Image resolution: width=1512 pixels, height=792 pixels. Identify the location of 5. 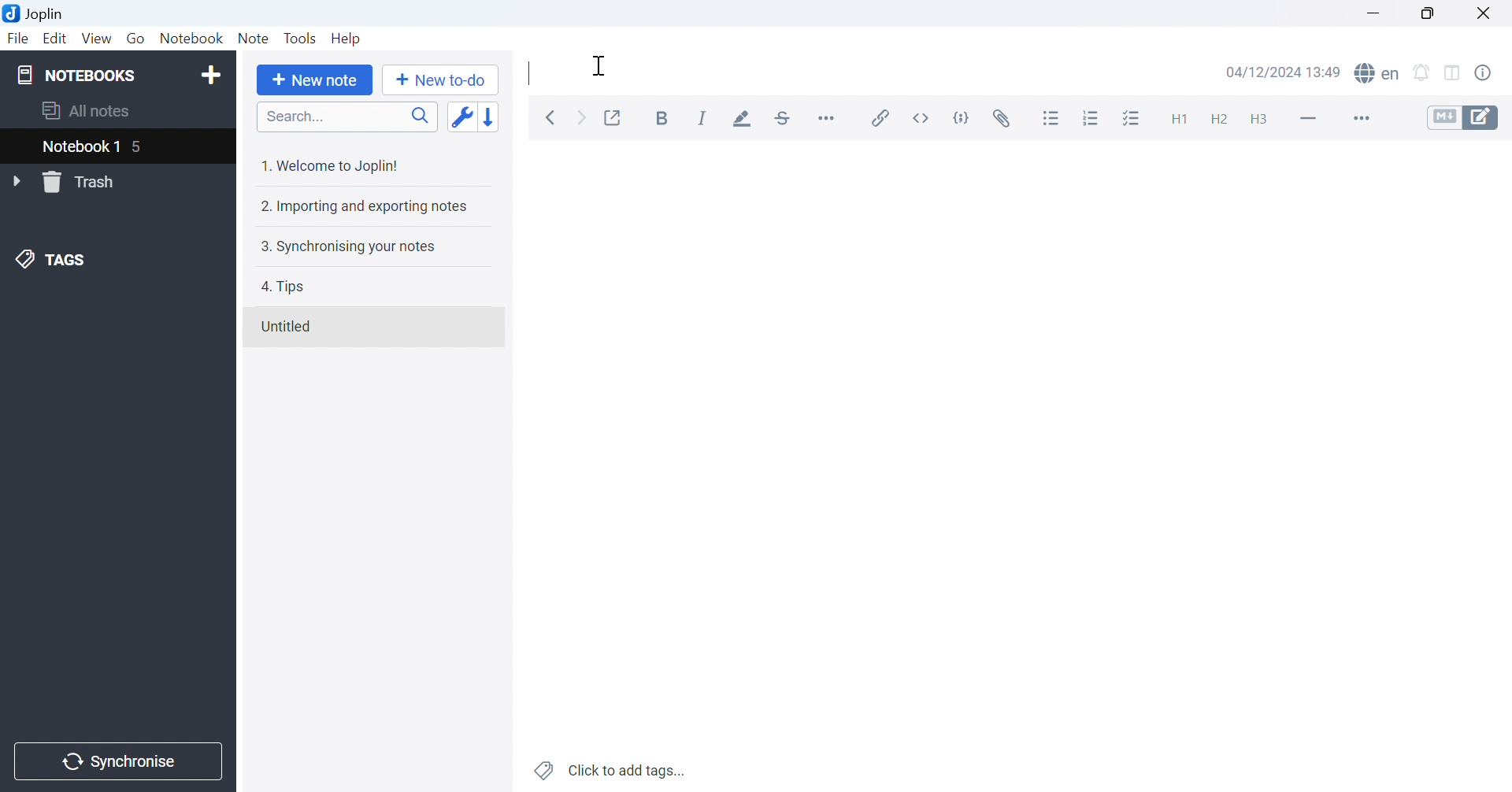
(146, 148).